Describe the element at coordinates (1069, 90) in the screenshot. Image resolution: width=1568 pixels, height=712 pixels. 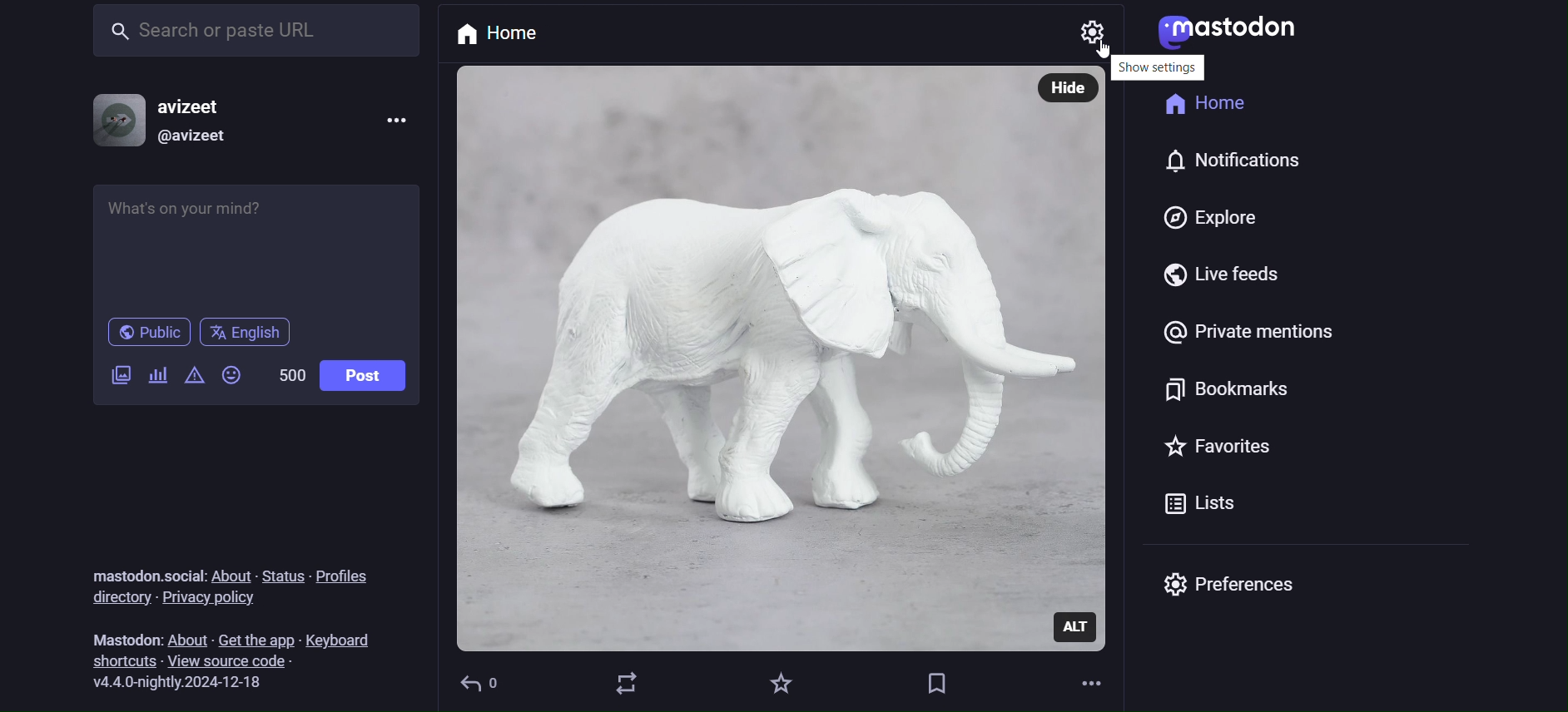
I see `Hide` at that location.